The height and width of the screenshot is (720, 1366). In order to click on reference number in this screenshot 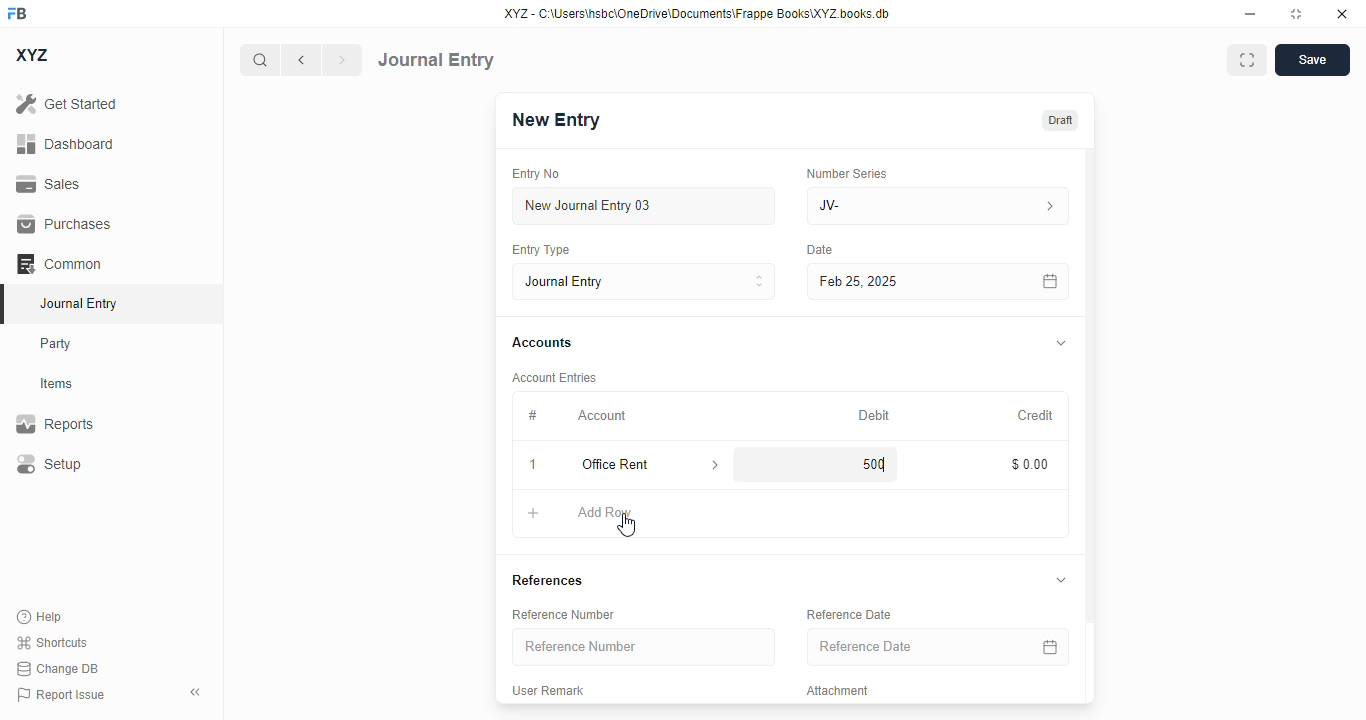, I will do `click(563, 615)`.